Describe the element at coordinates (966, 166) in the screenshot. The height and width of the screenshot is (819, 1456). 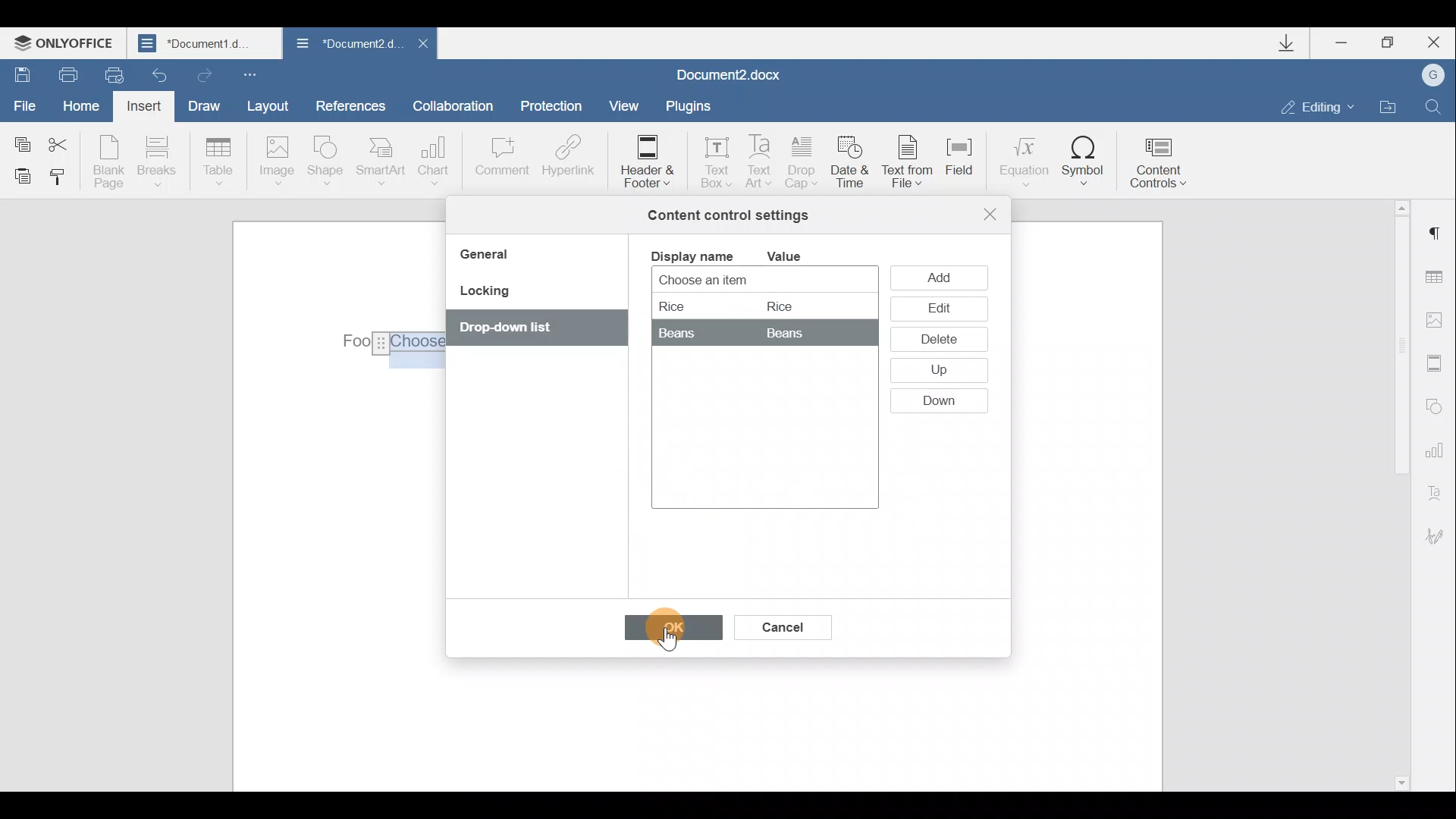
I see `Field` at that location.